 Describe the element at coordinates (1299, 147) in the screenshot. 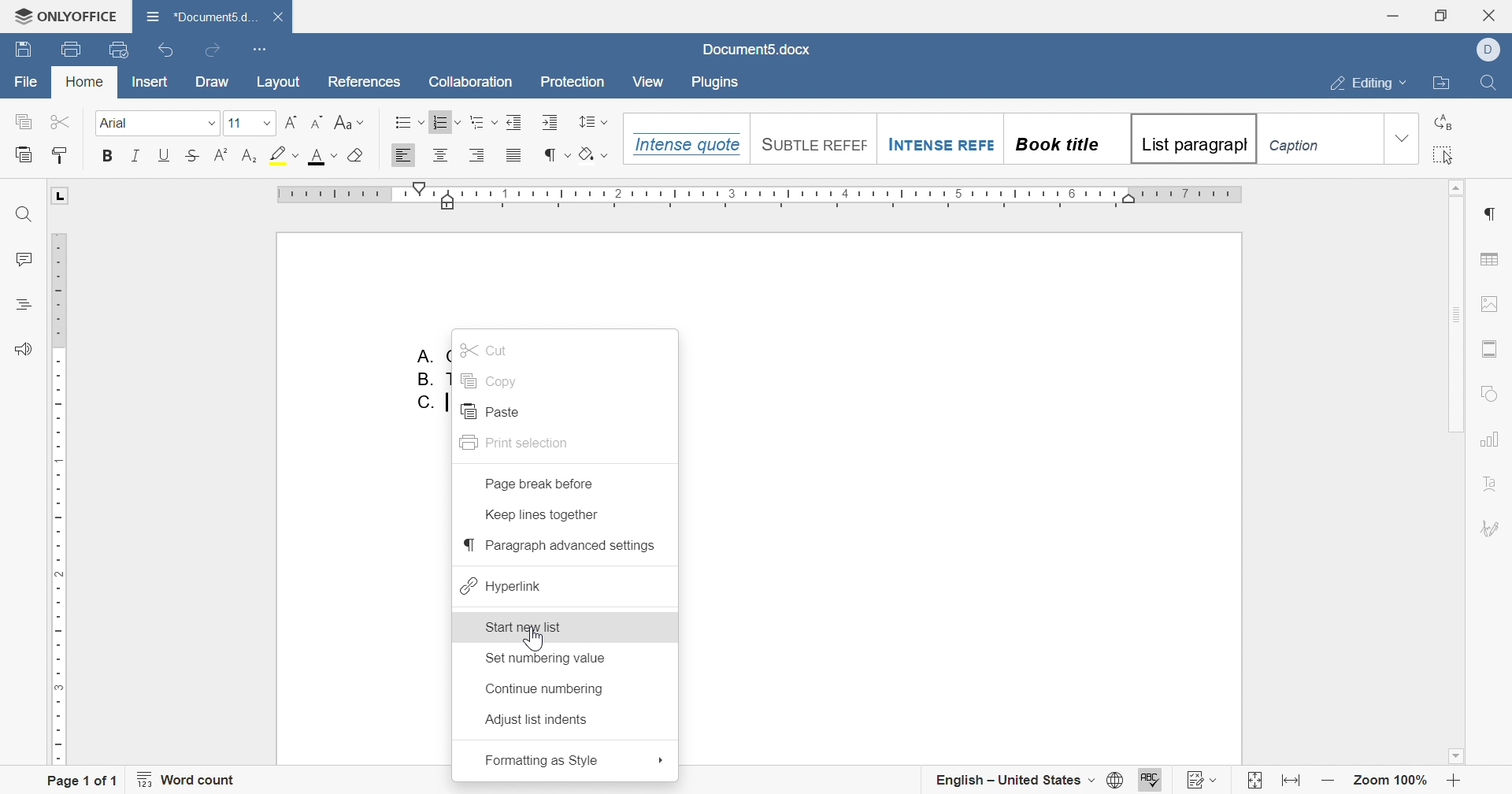

I see `Caption ` at that location.